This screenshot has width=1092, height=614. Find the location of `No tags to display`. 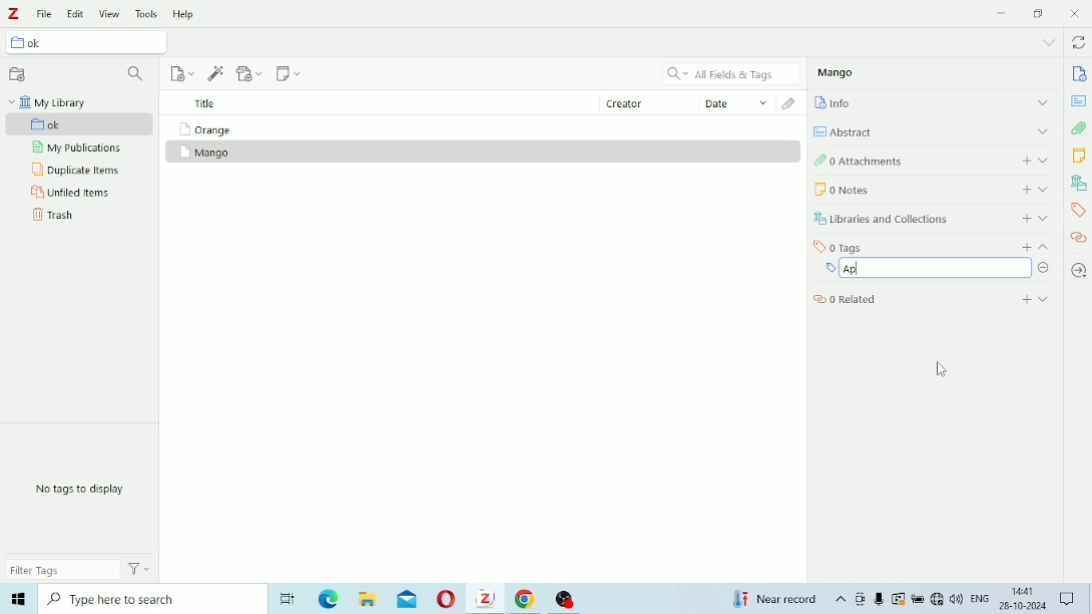

No tags to display is located at coordinates (83, 490).